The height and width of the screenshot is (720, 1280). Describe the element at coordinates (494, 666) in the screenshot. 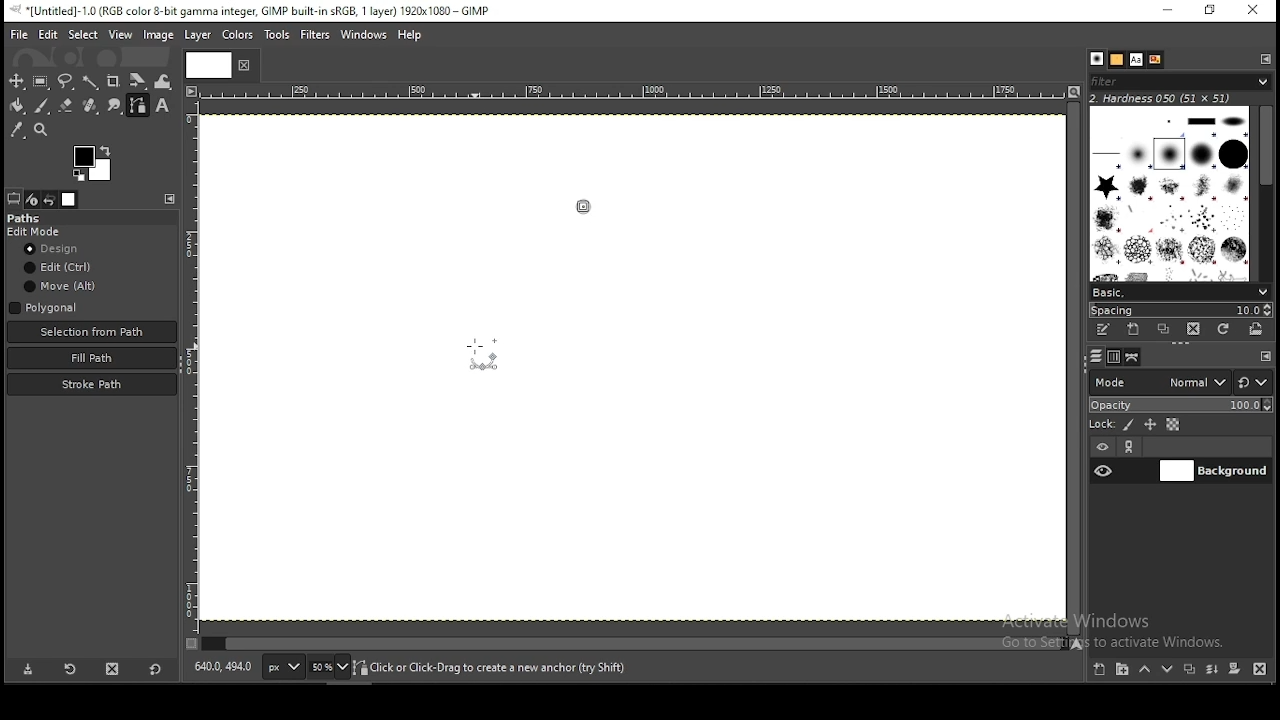

I see `click or click-drag to create a new anchor (try shift)` at that location.